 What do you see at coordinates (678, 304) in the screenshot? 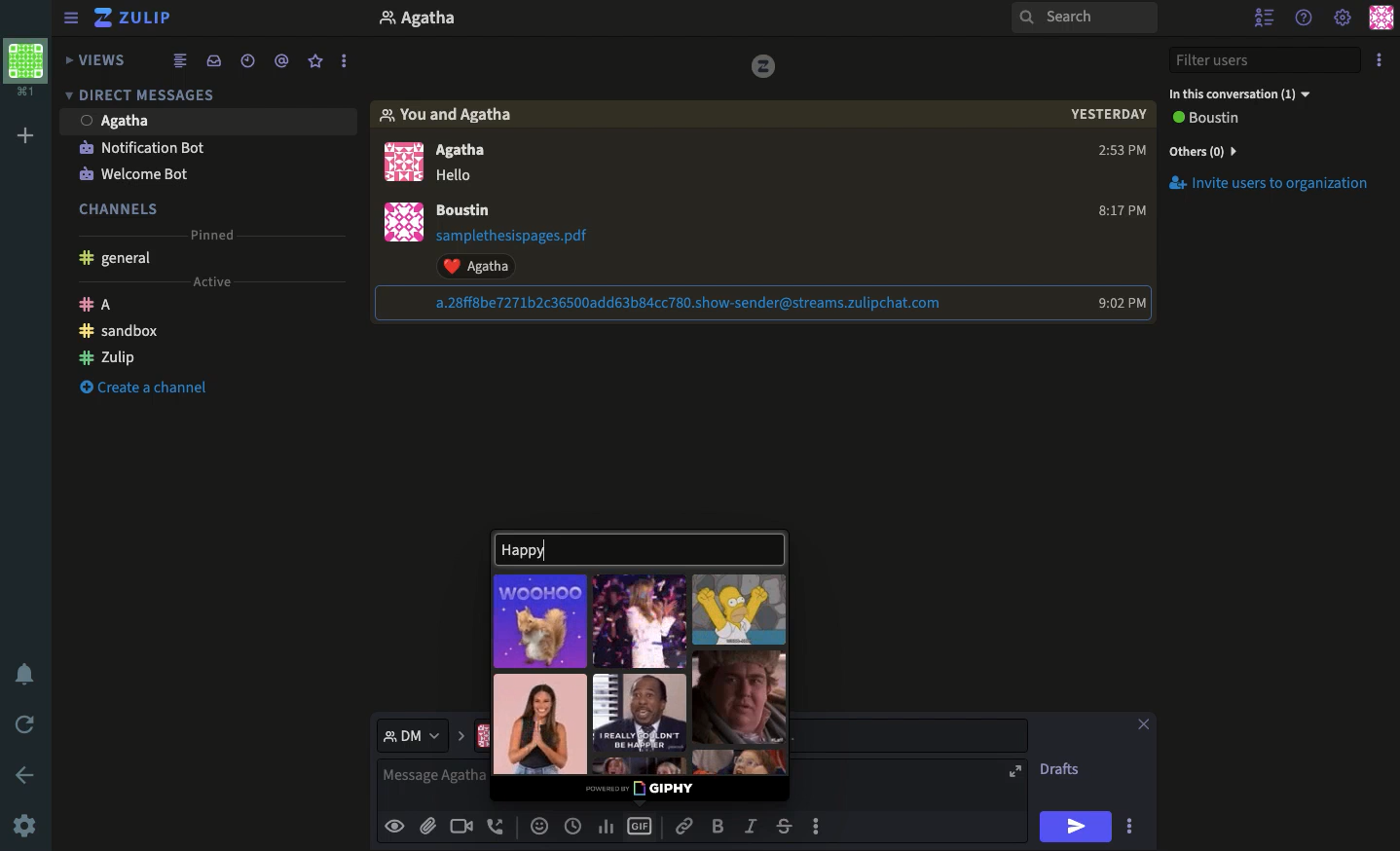
I see `Attachment` at bounding box center [678, 304].